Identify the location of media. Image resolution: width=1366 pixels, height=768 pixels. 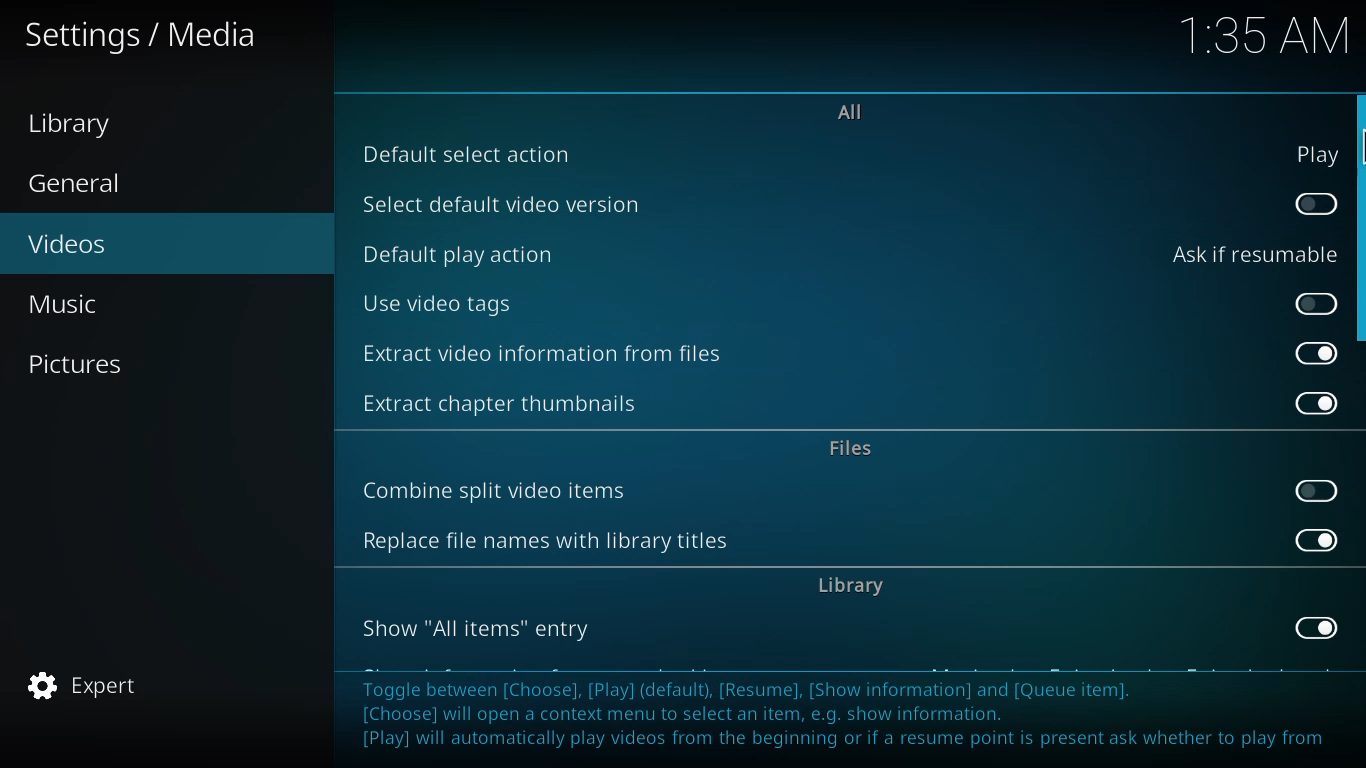
(143, 37).